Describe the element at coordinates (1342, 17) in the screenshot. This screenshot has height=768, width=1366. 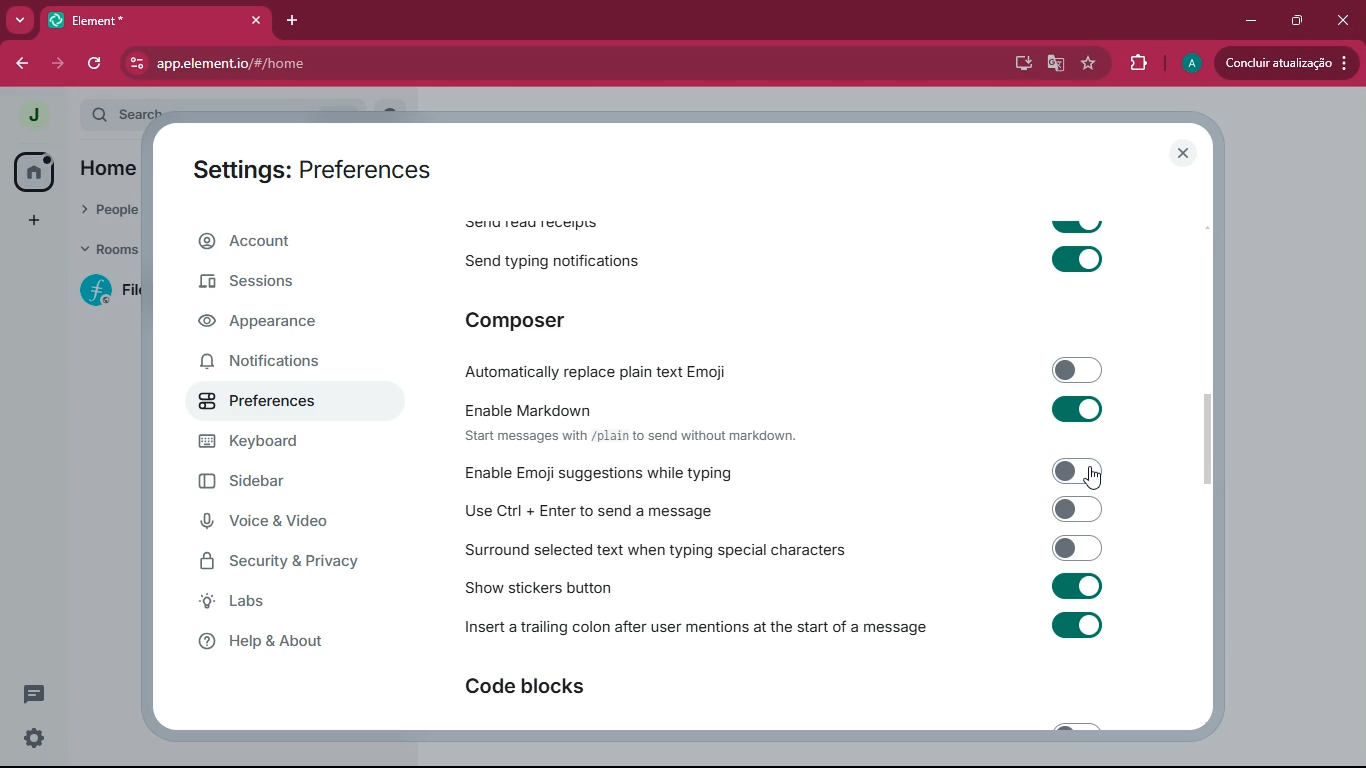
I see `close` at that location.